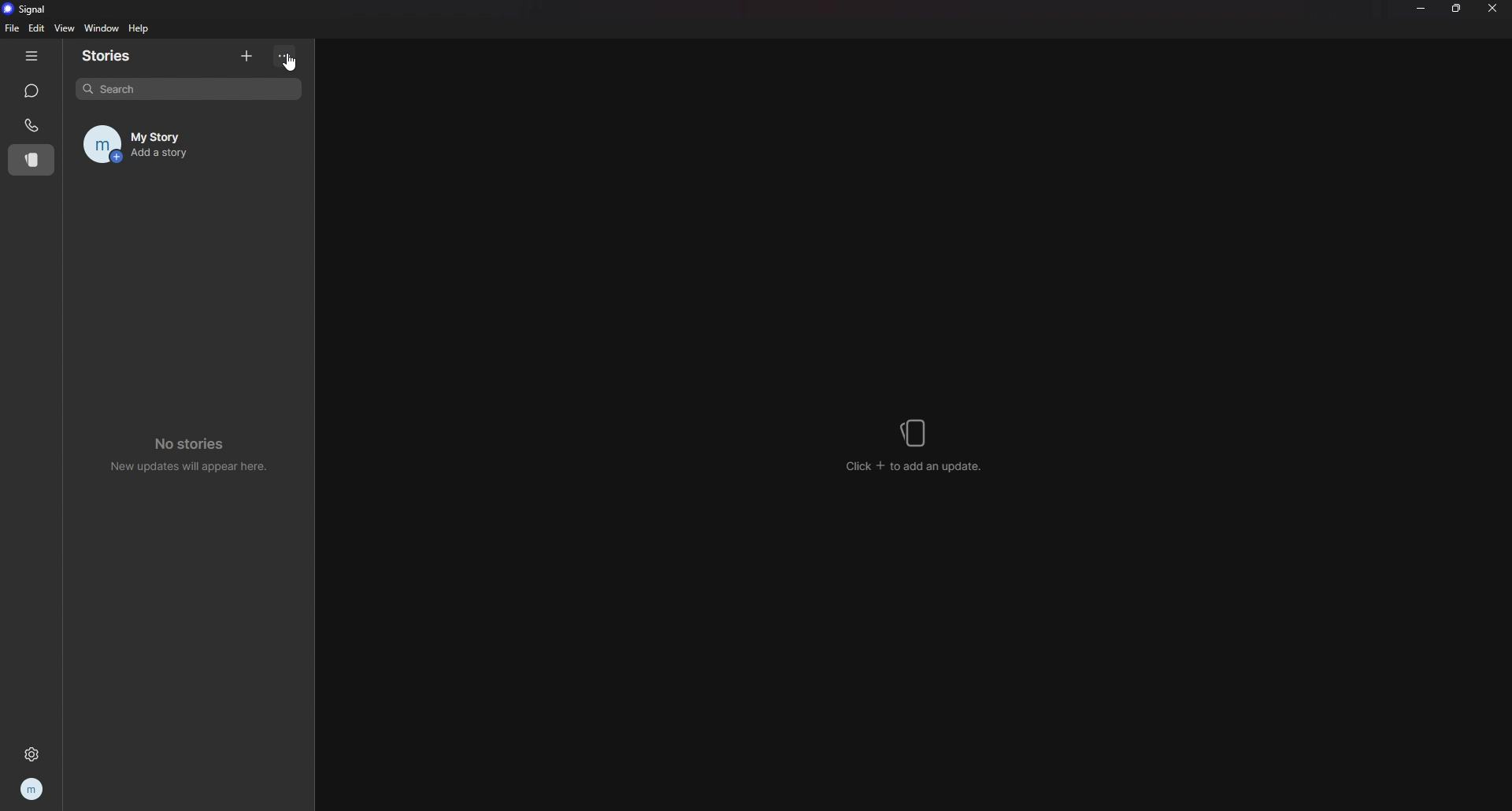 The height and width of the screenshot is (811, 1512). Describe the element at coordinates (33, 788) in the screenshot. I see `profile` at that location.